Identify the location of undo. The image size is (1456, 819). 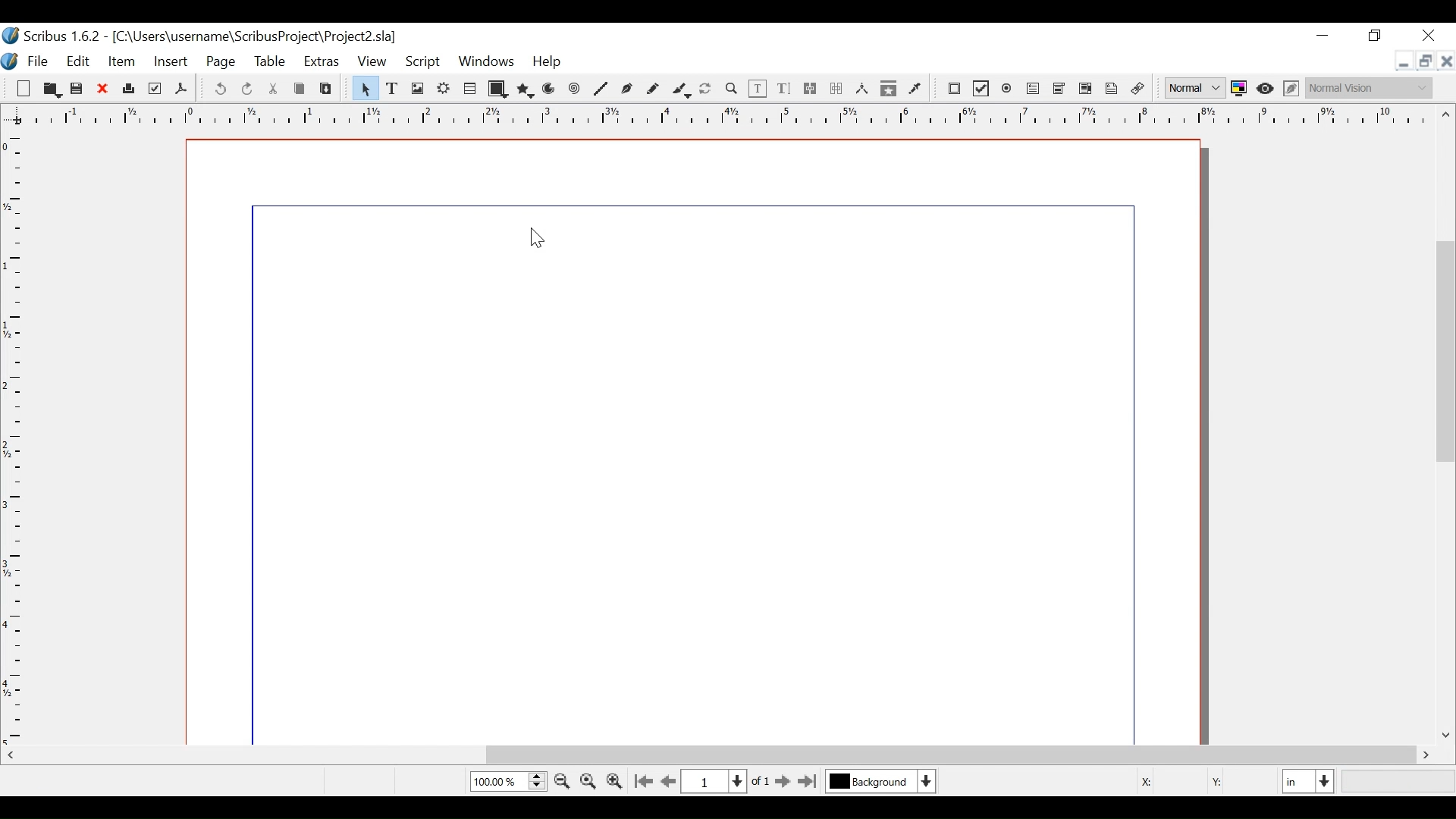
(221, 89).